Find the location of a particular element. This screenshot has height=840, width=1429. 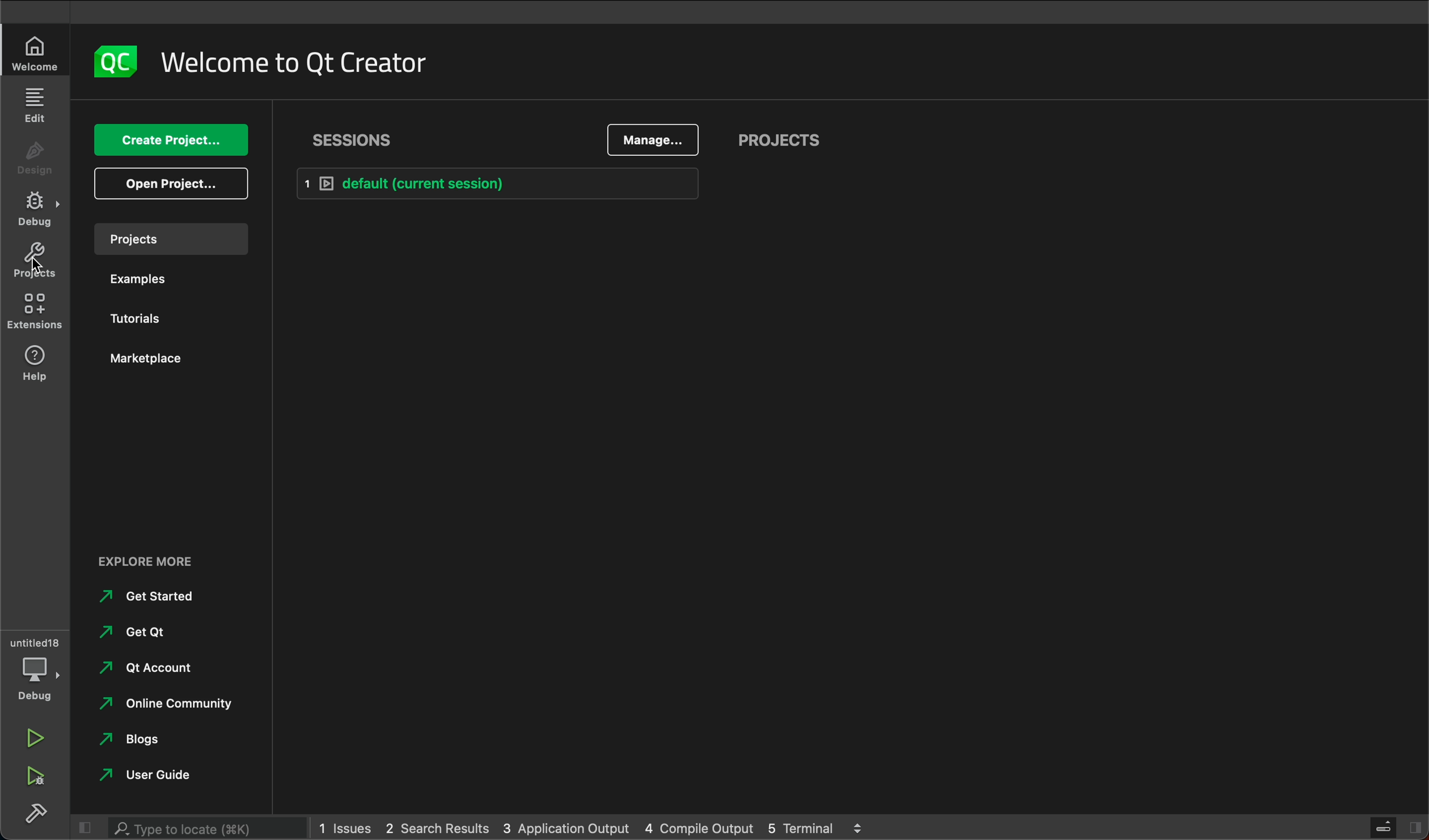

examples is located at coordinates (137, 279).